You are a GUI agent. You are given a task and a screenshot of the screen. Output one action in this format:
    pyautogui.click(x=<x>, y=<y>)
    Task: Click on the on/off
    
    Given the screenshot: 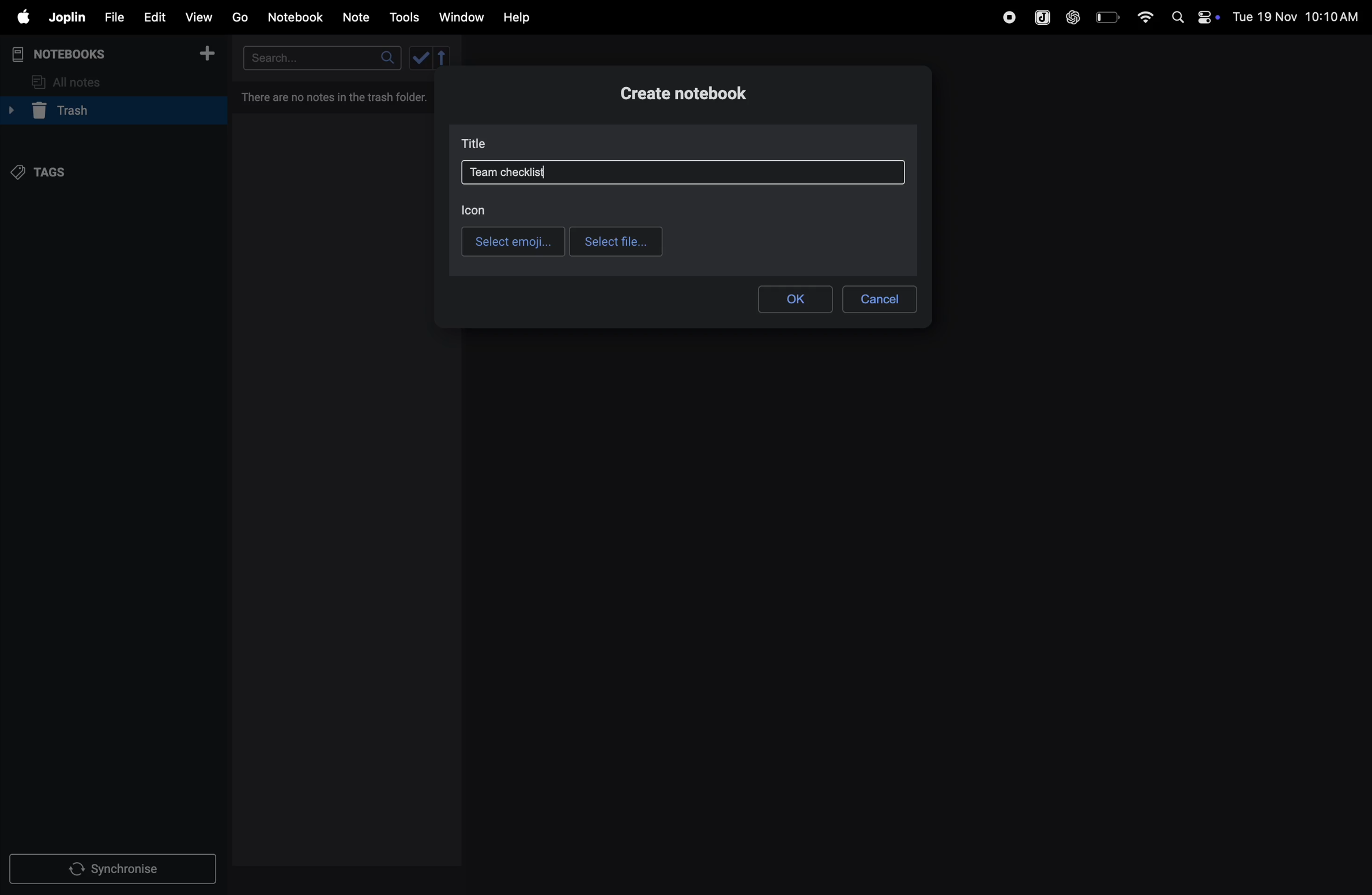 What is the action you would take?
    pyautogui.click(x=1209, y=18)
    